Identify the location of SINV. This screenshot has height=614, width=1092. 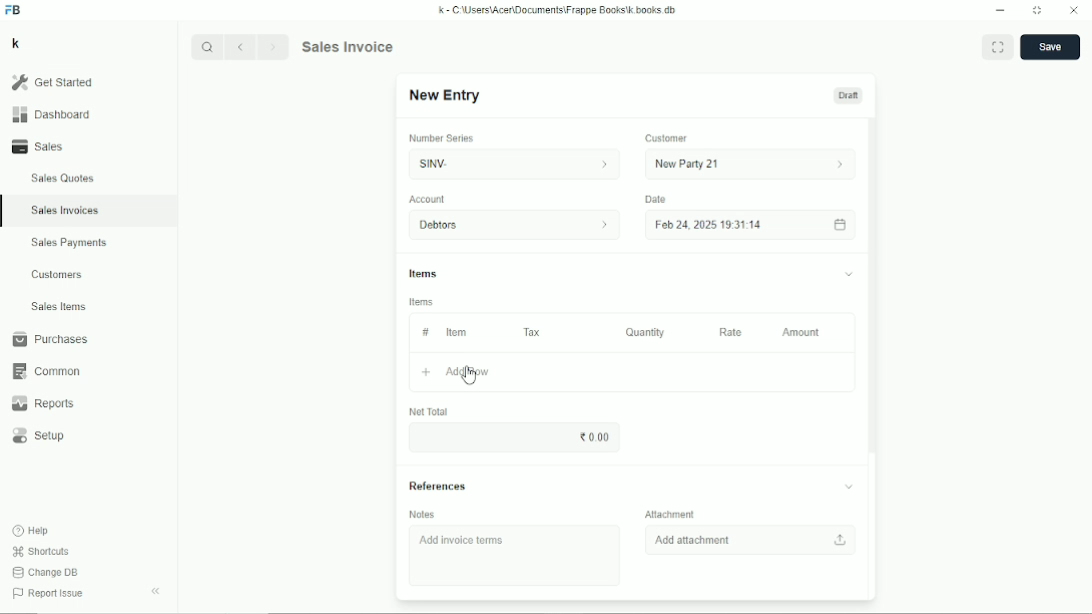
(511, 164).